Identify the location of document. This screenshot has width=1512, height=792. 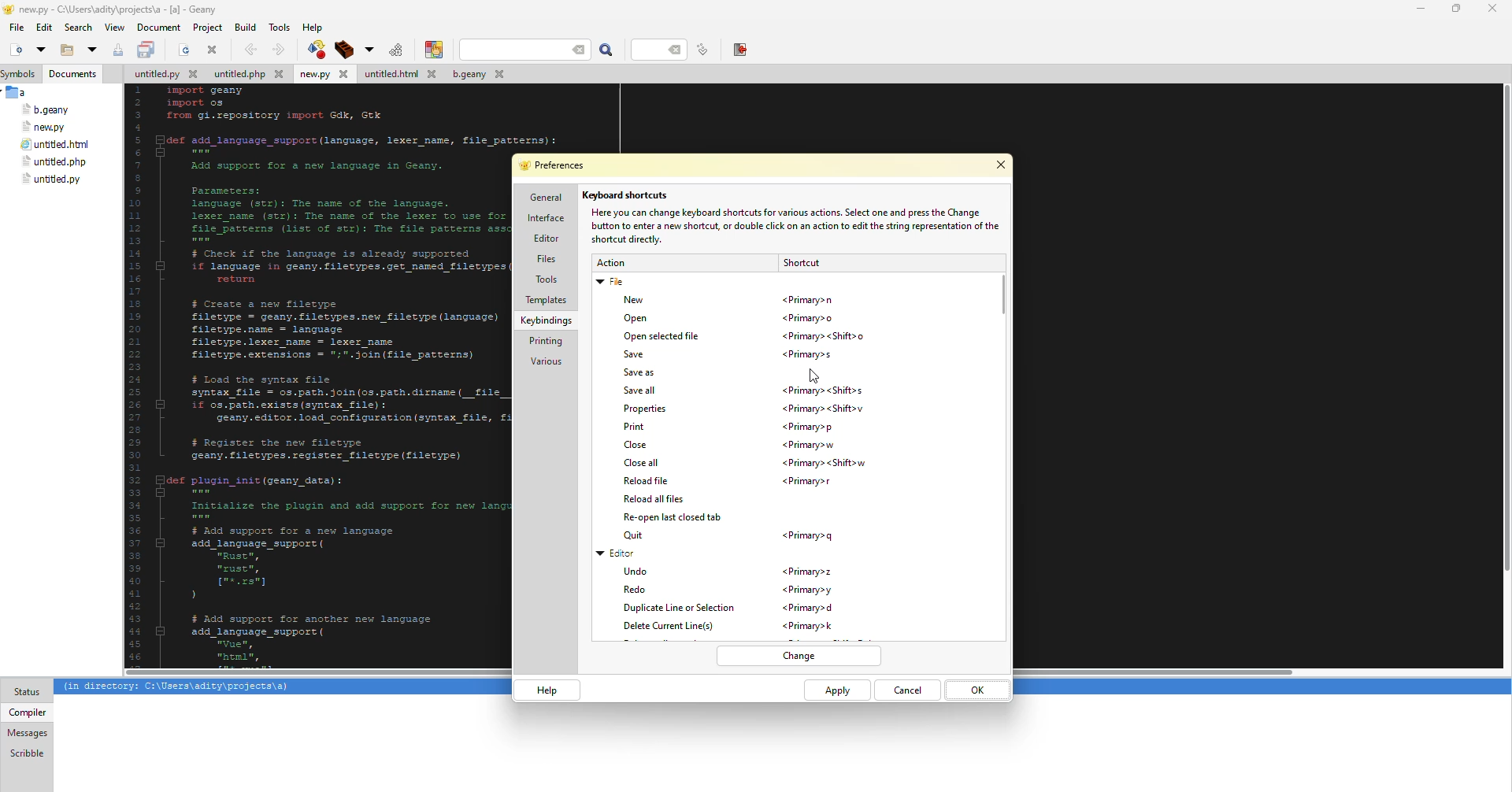
(158, 28).